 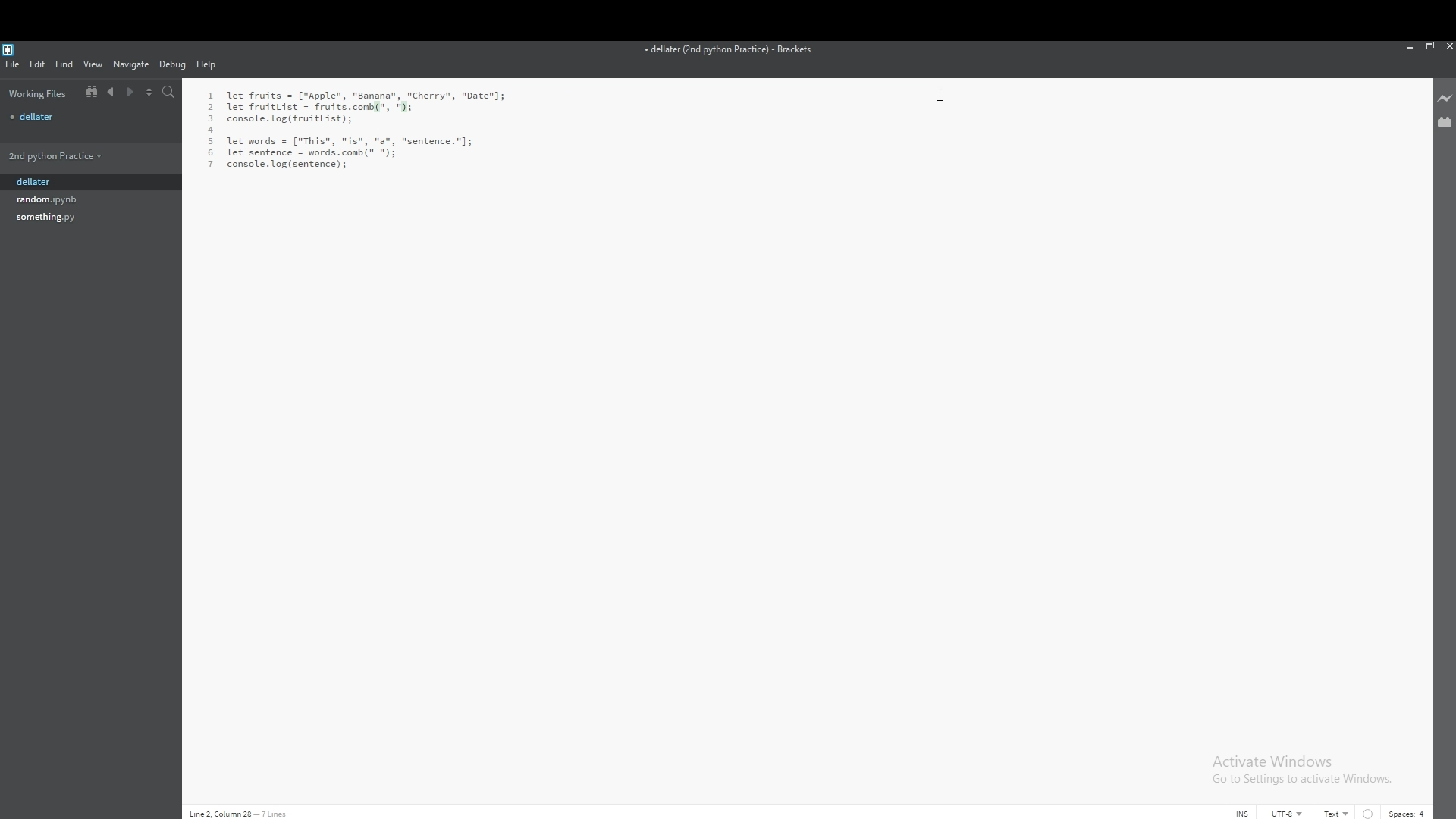 What do you see at coordinates (730, 51) in the screenshot?
I see `file name` at bounding box center [730, 51].